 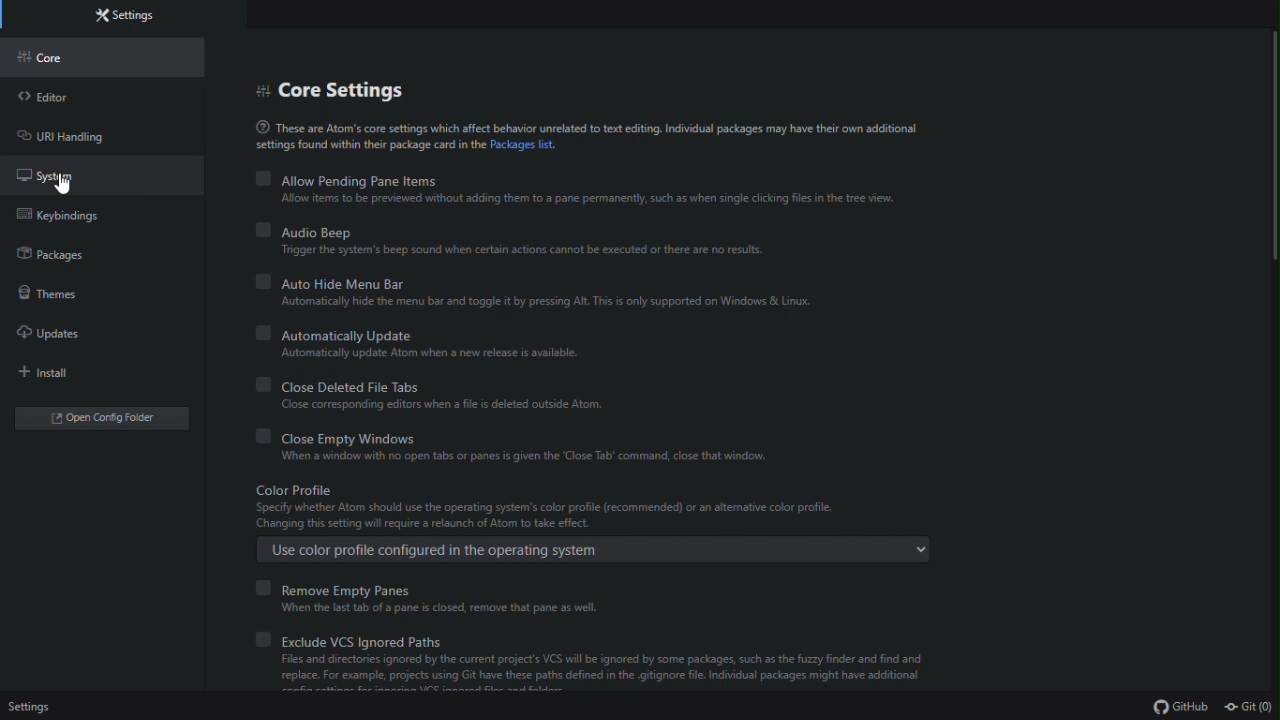 What do you see at coordinates (85, 369) in the screenshot?
I see `install` at bounding box center [85, 369].